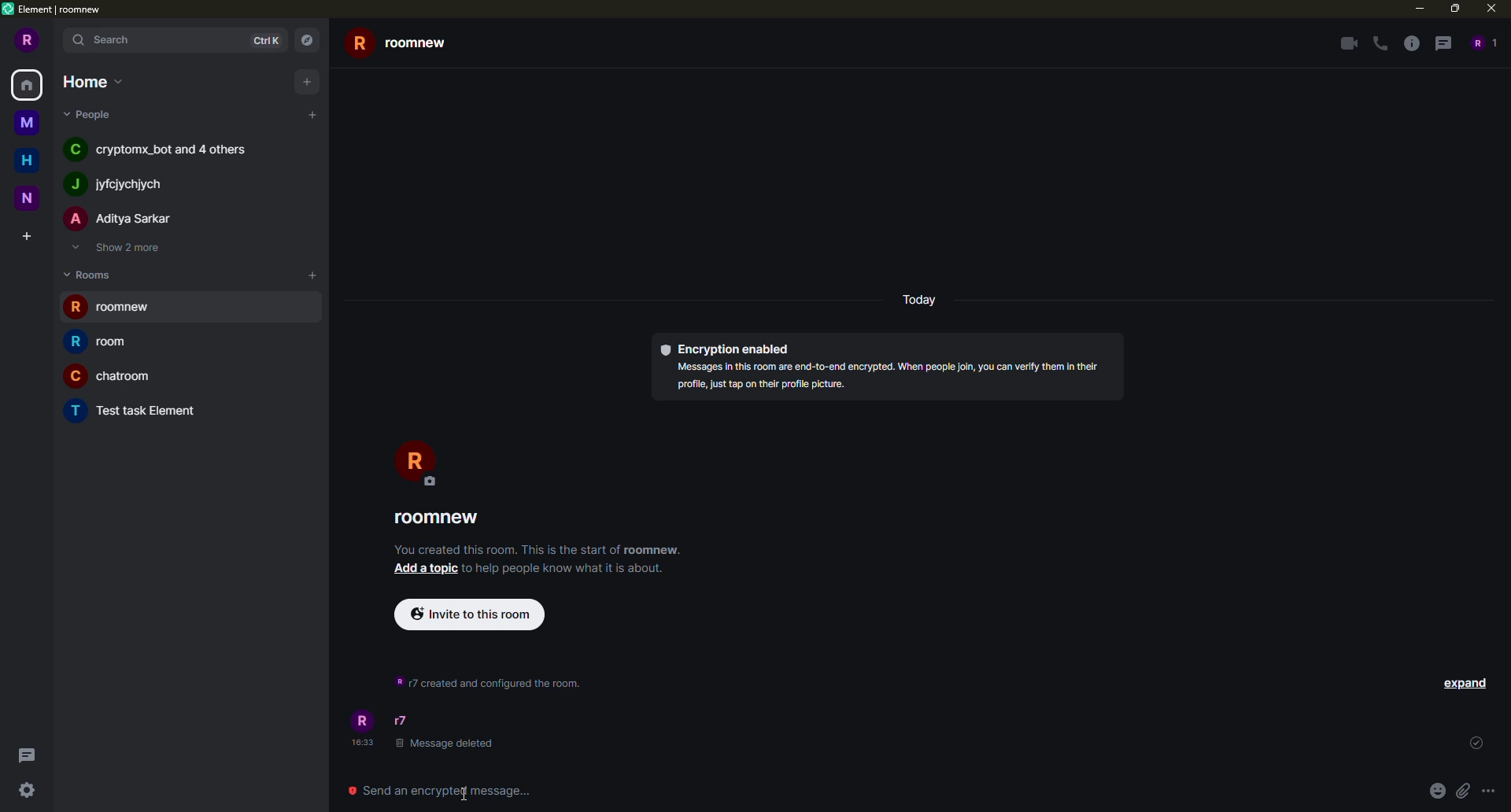  I want to click on create space, so click(28, 234).